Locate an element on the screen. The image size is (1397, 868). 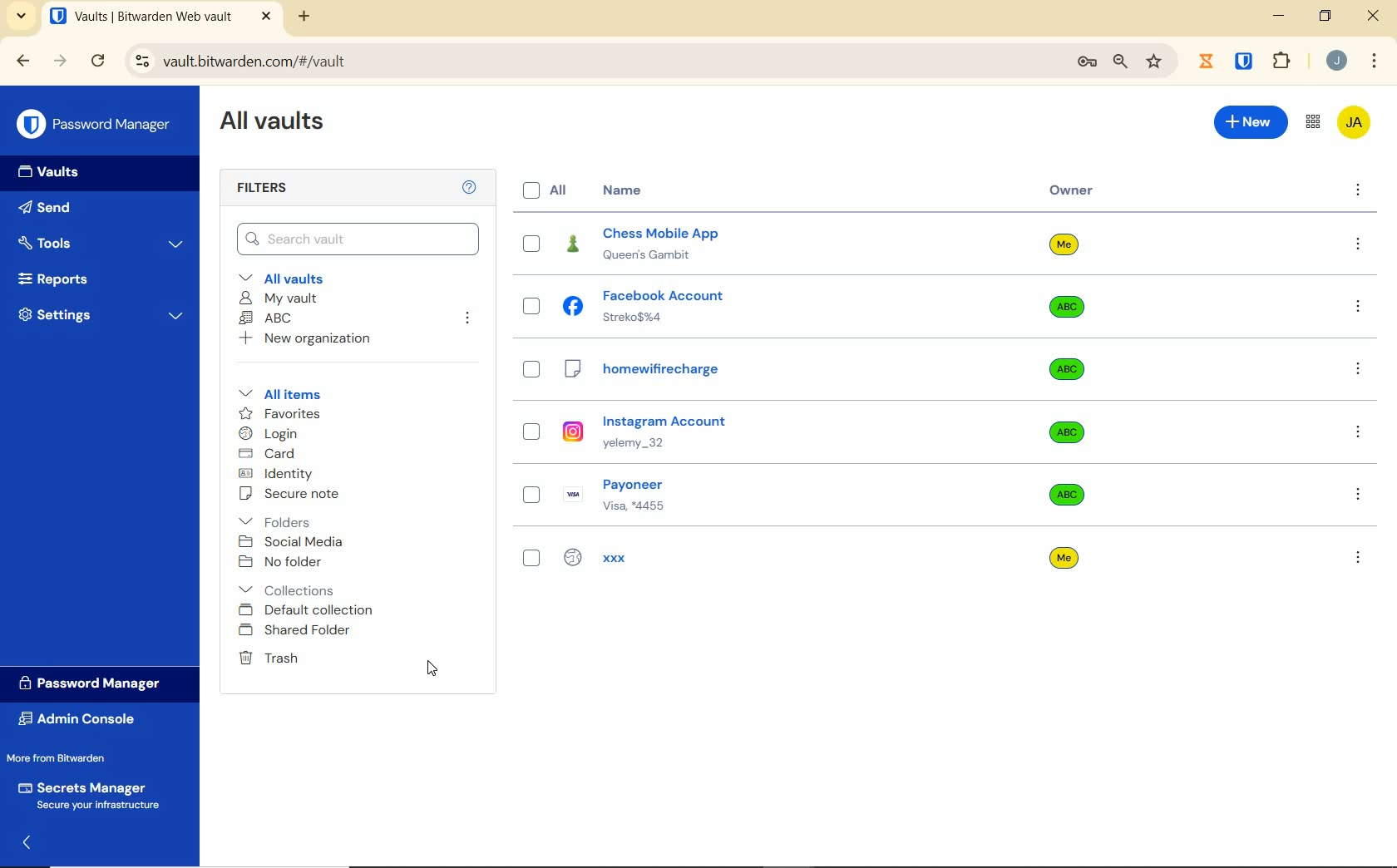
close is located at coordinates (1374, 14).